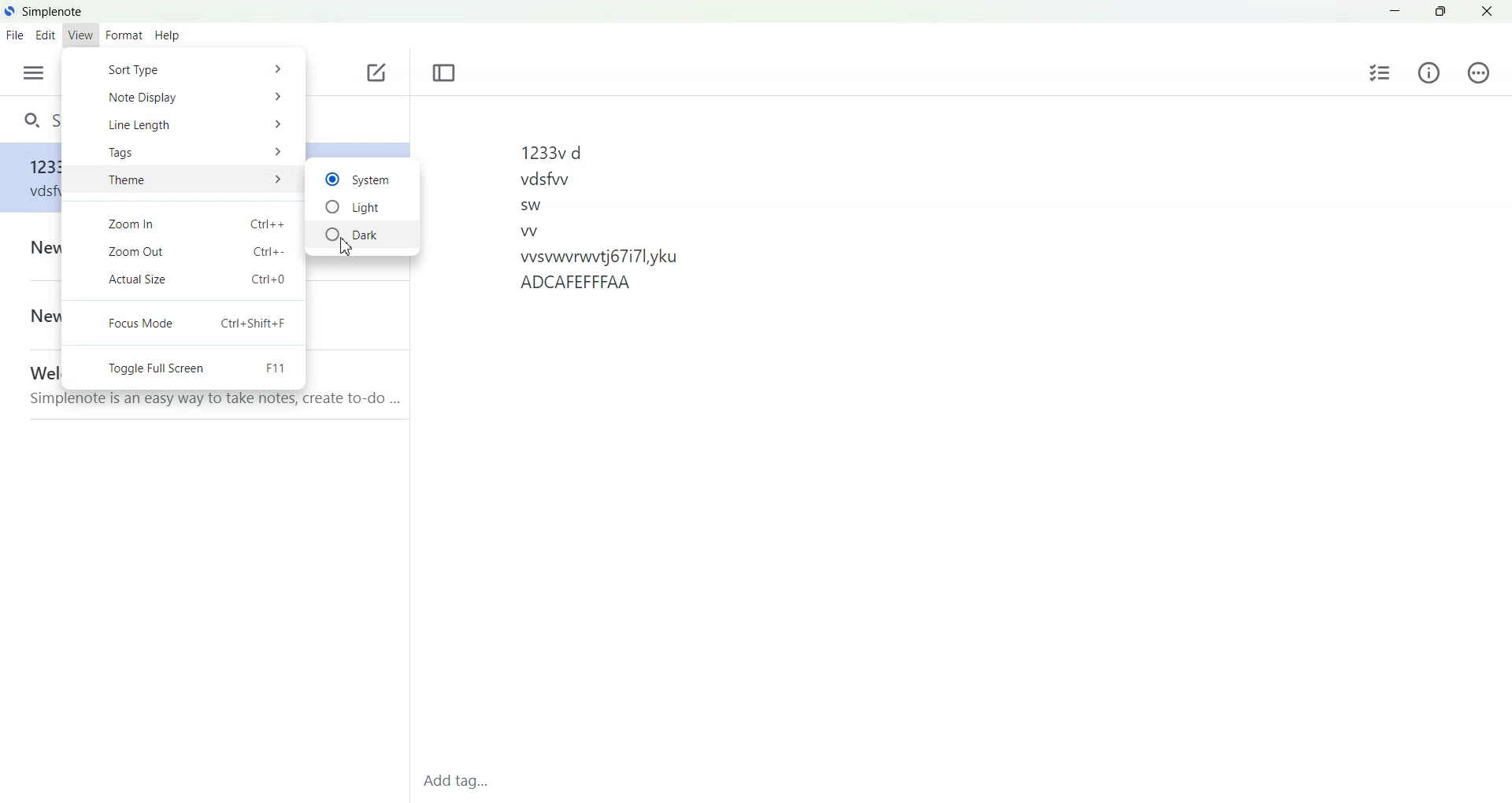  Describe the element at coordinates (14, 35) in the screenshot. I see `File` at that location.